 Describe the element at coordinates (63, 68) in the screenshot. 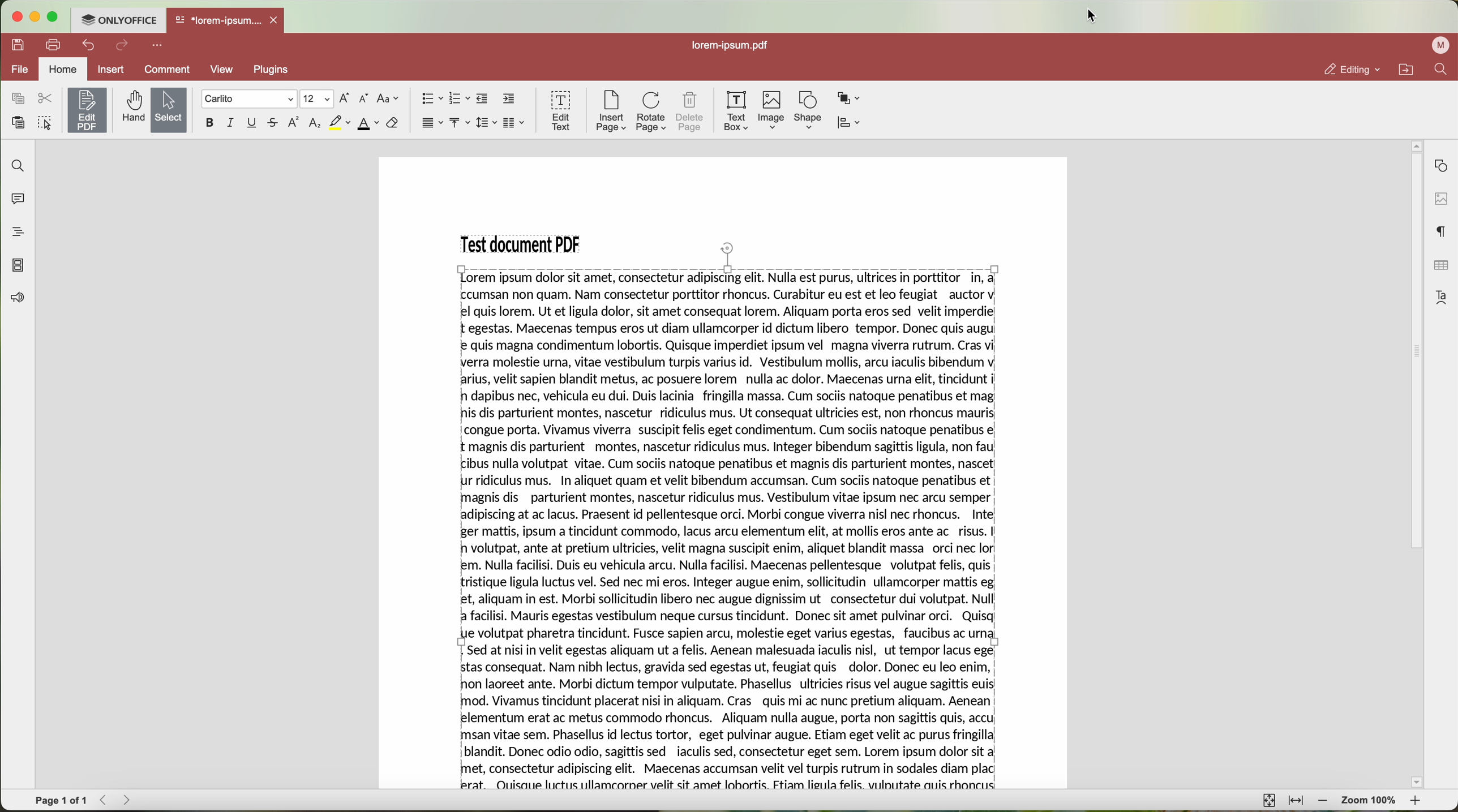

I see `home` at that location.